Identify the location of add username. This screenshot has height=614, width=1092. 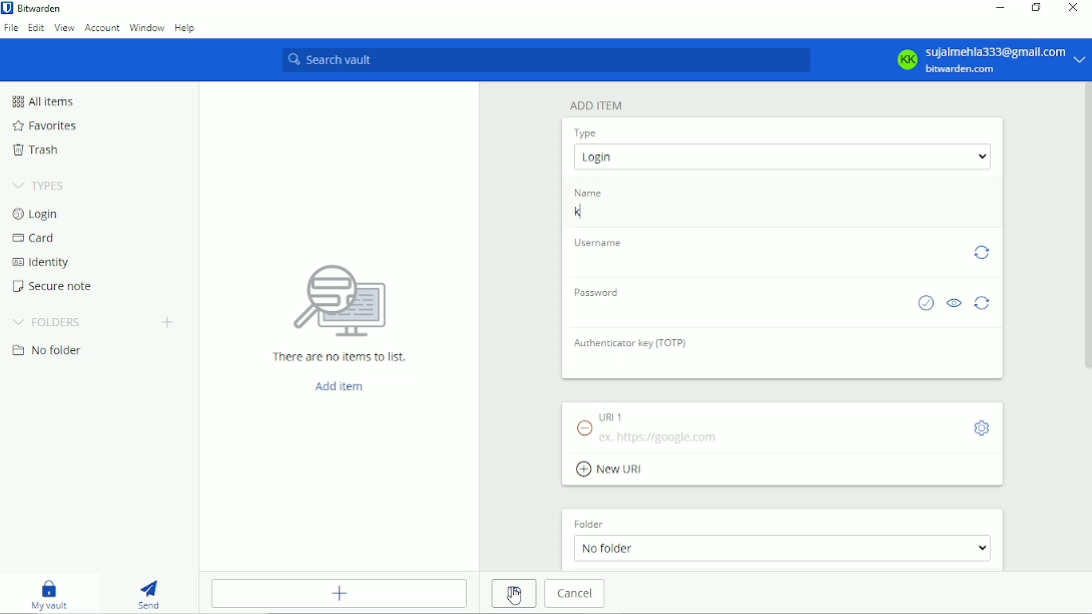
(764, 261).